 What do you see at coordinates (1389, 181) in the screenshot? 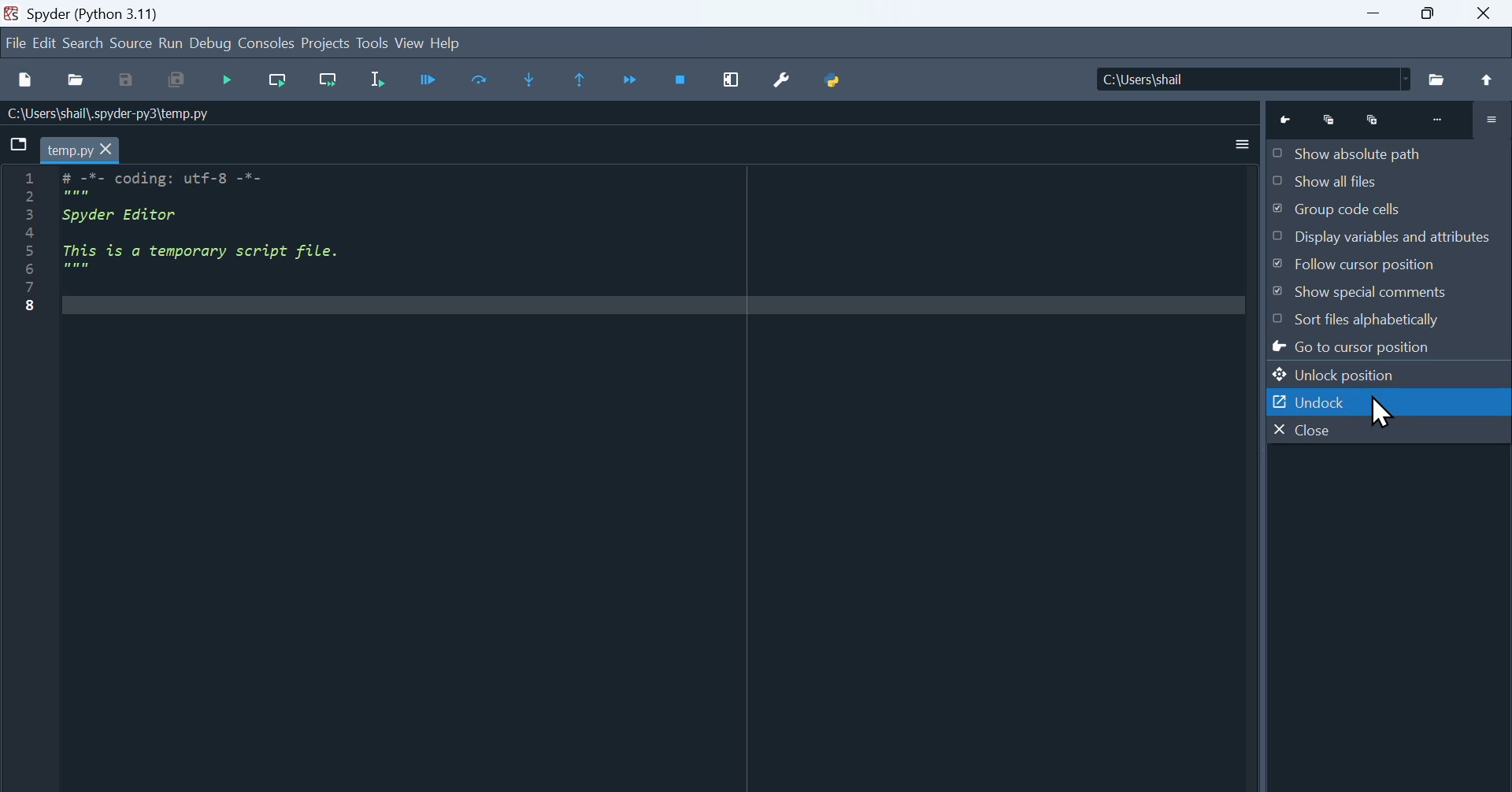
I see `Show all files` at bounding box center [1389, 181].